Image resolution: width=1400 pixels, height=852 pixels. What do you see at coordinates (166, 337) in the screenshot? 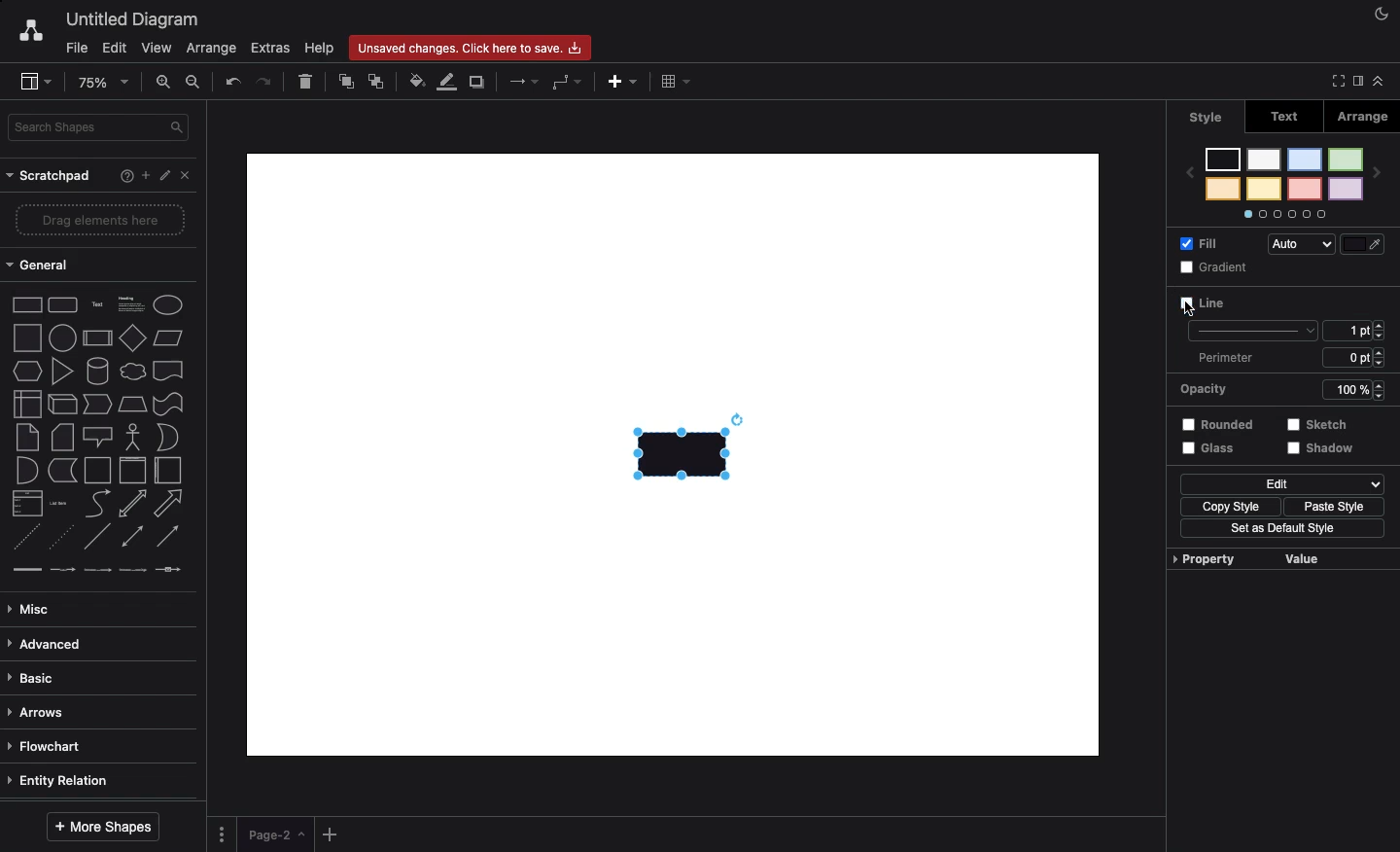
I see `Parallelogram` at bounding box center [166, 337].